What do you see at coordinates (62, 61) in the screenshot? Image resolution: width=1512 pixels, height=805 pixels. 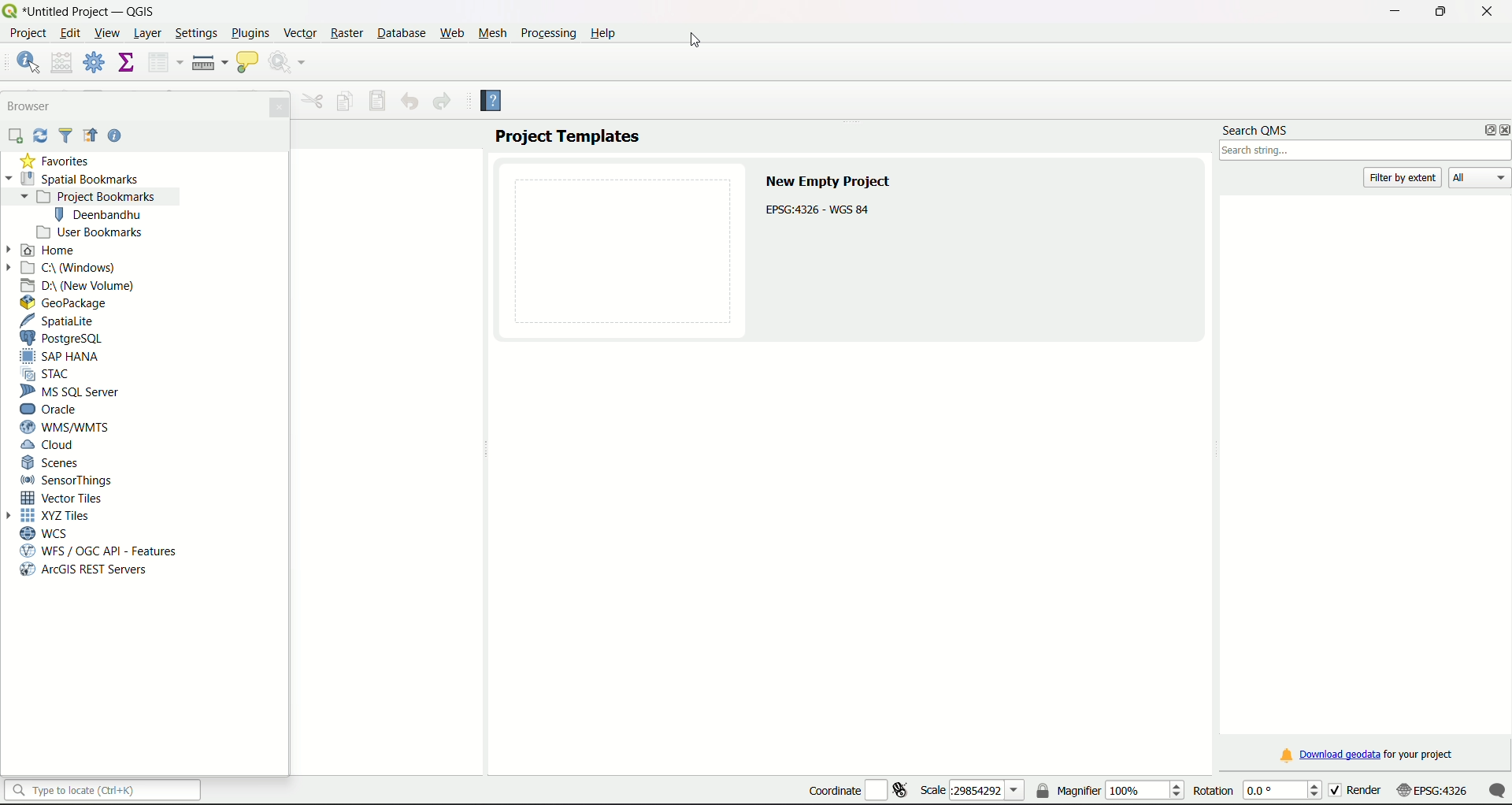 I see `open field calculator` at bounding box center [62, 61].